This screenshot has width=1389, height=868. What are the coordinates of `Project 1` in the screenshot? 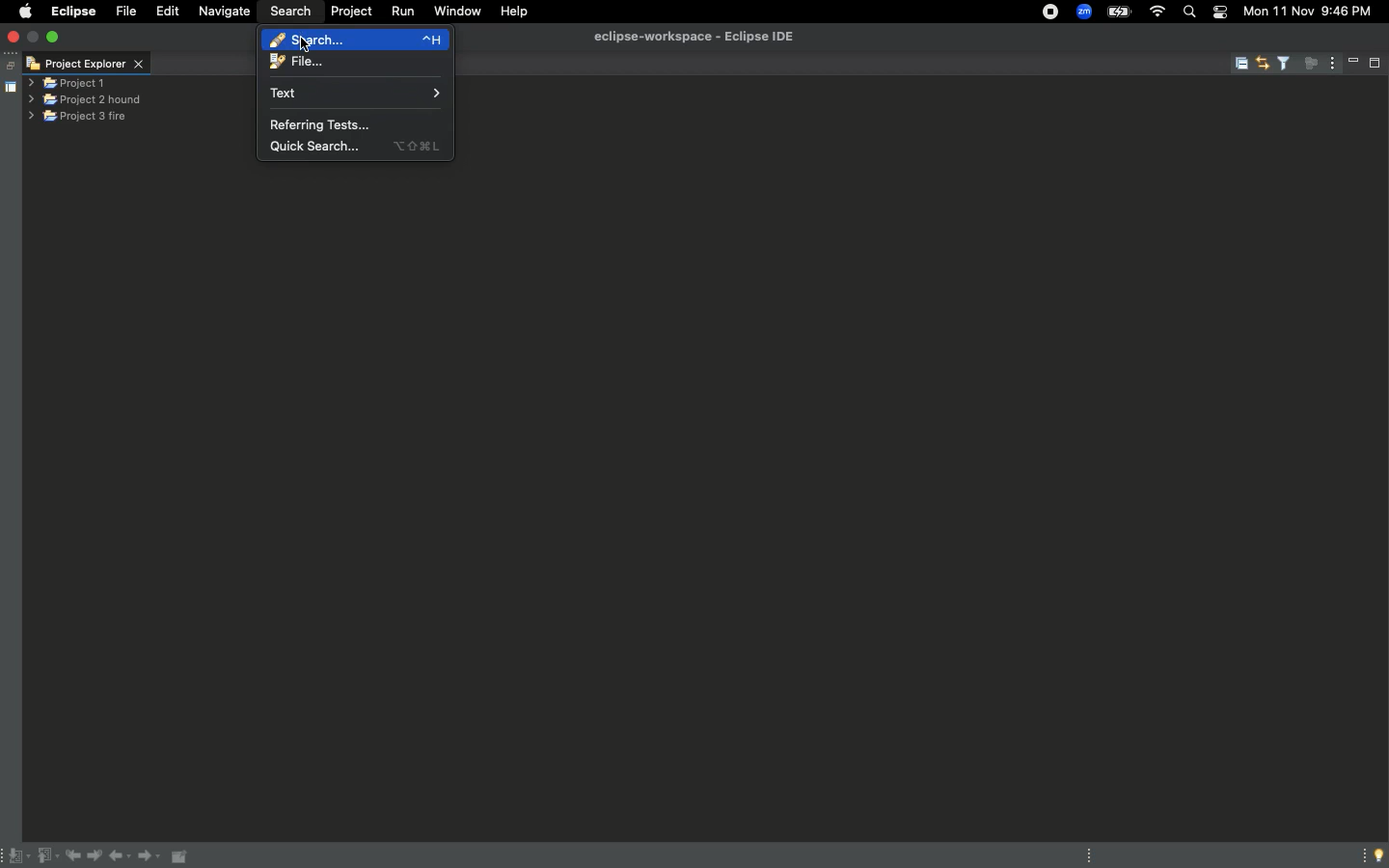 It's located at (68, 83).